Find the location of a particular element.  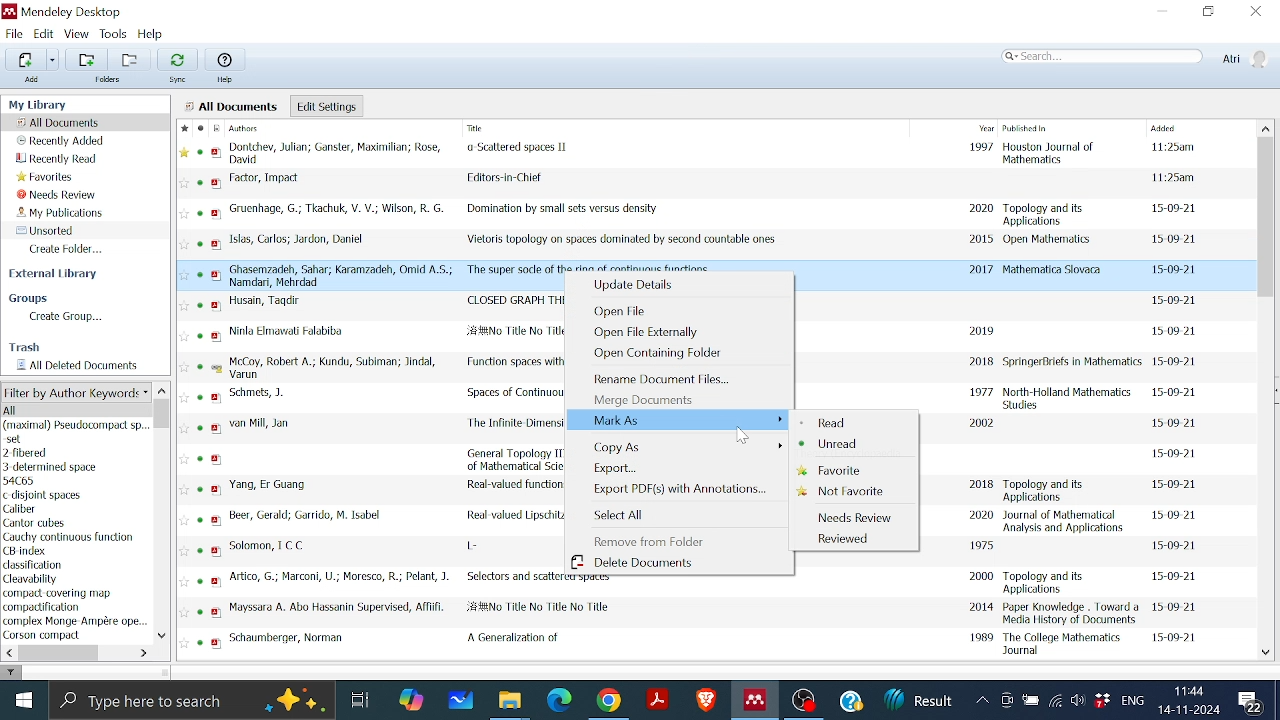

Unsorted is located at coordinates (67, 231).